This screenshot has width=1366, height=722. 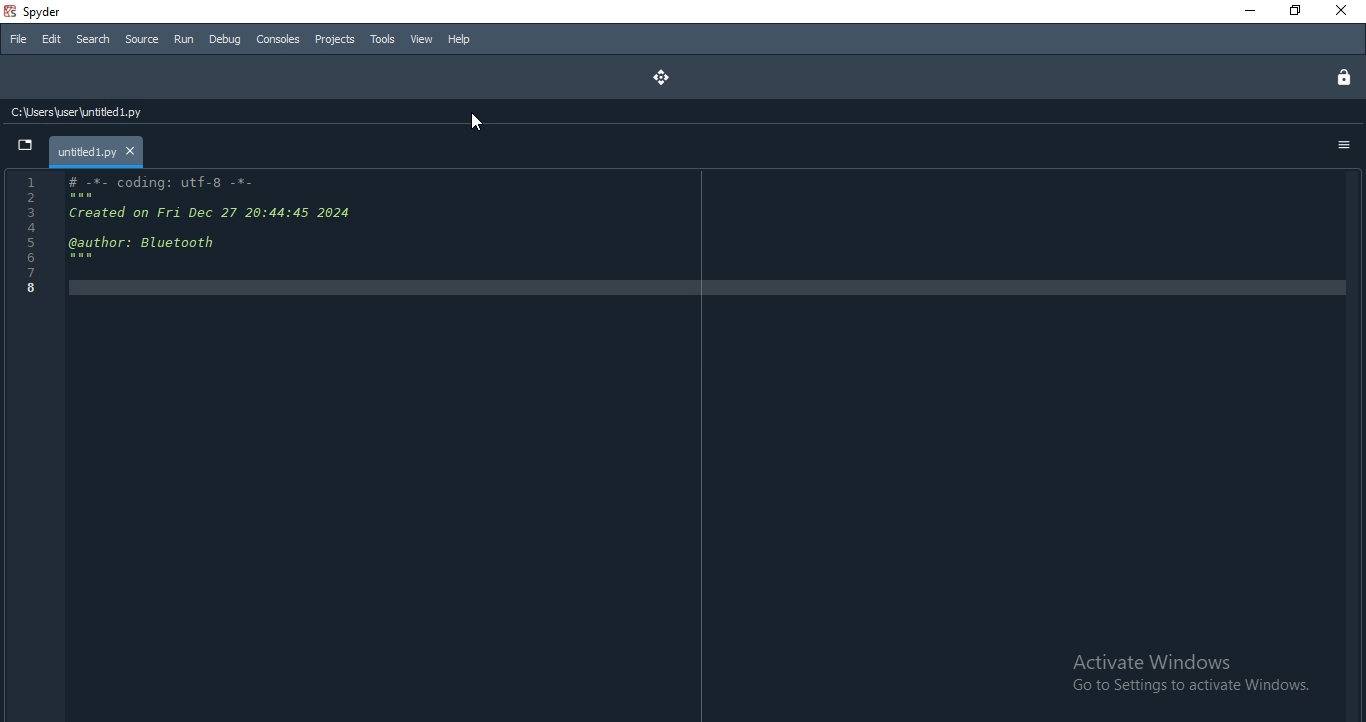 I want to click on Run, so click(x=184, y=39).